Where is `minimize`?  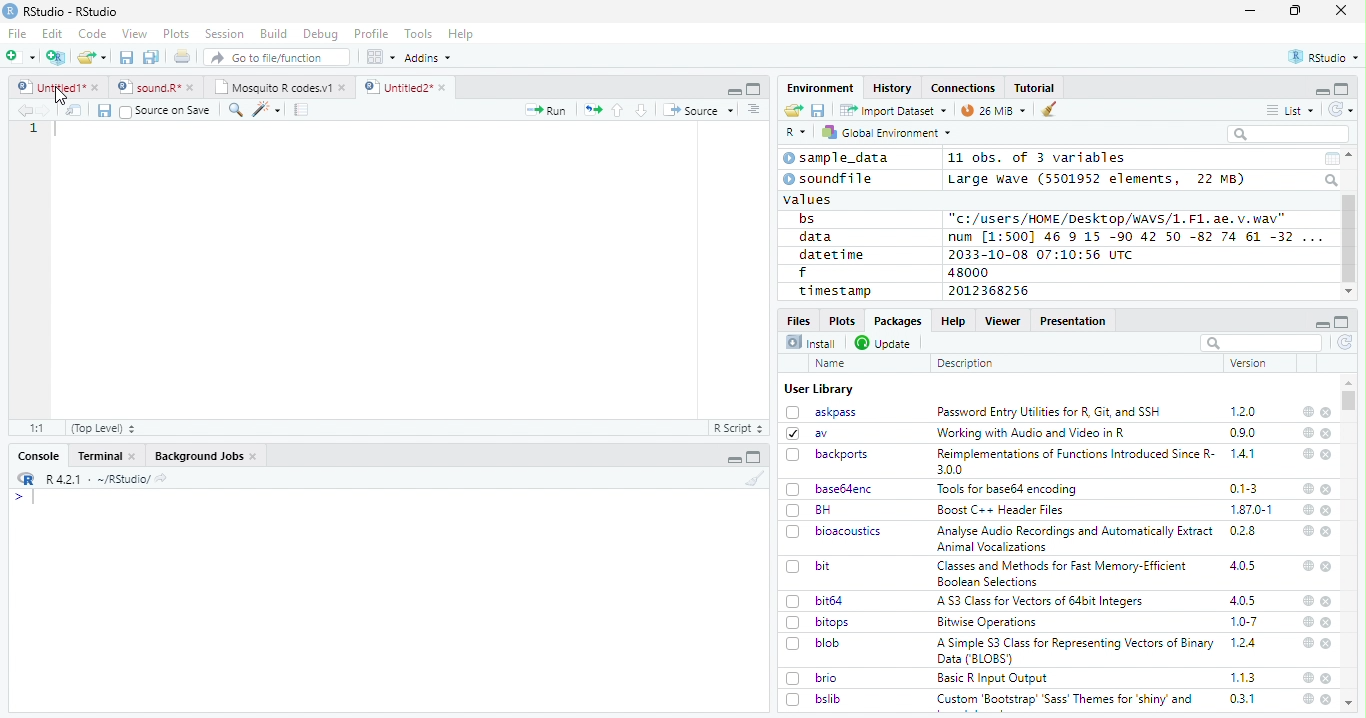
minimize is located at coordinates (1321, 90).